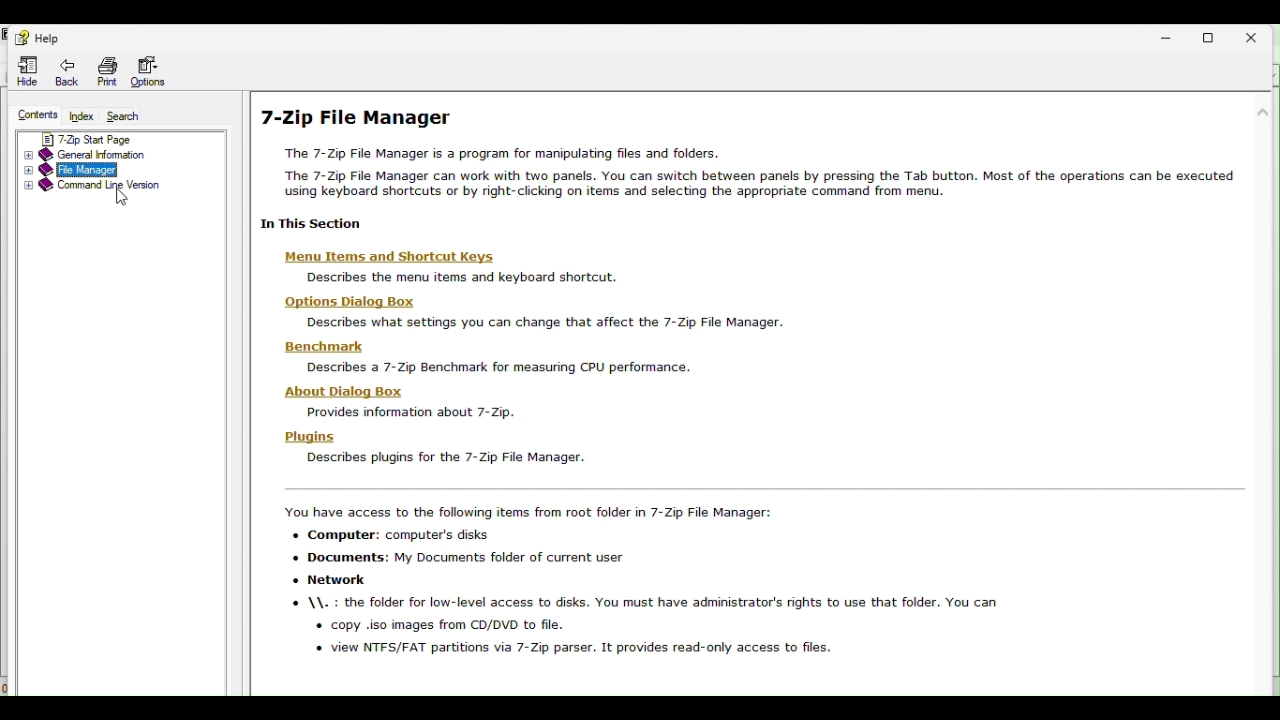 This screenshot has width=1280, height=720. Describe the element at coordinates (28, 189) in the screenshot. I see `expand` at that location.